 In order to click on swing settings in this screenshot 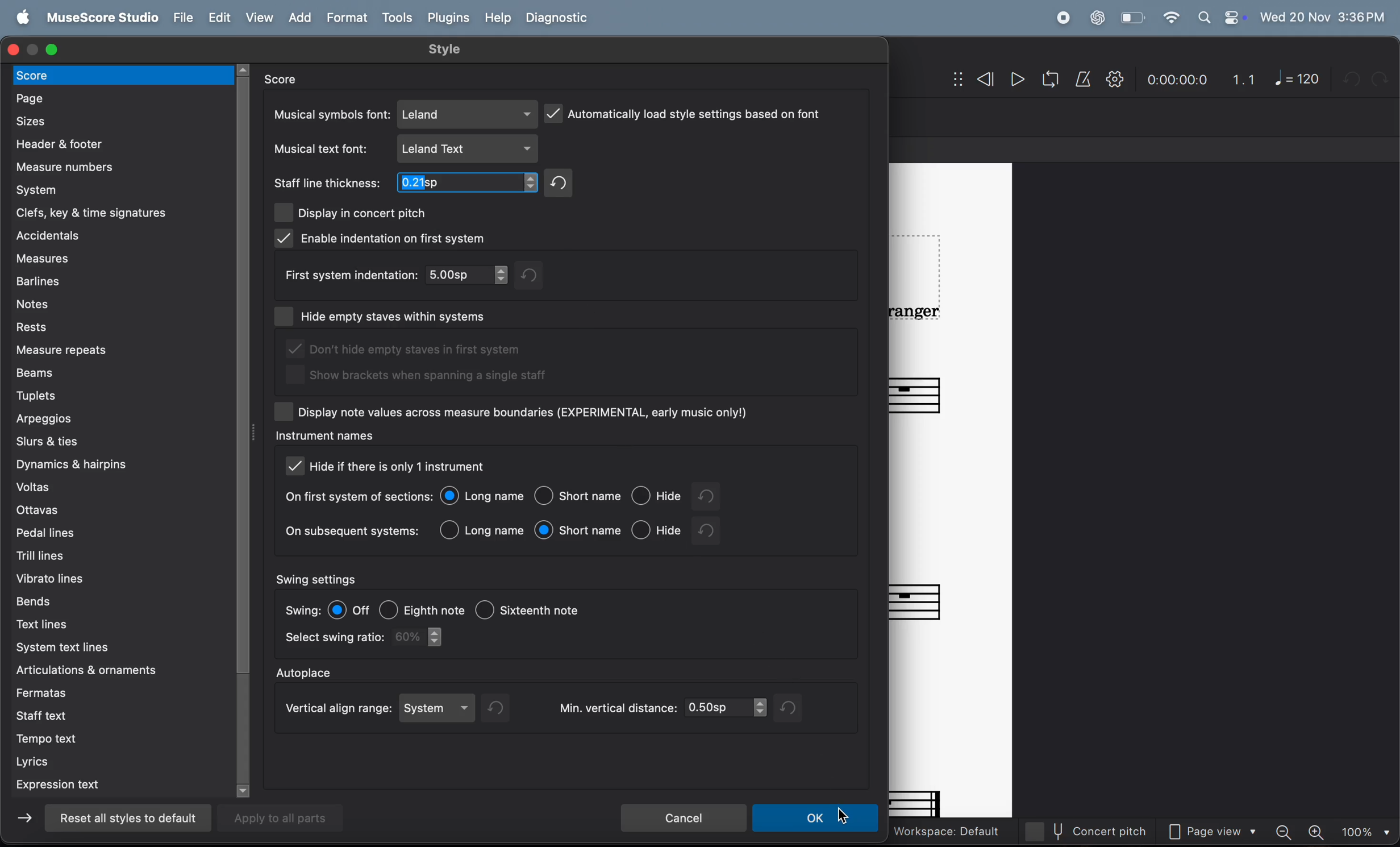, I will do `click(319, 578)`.